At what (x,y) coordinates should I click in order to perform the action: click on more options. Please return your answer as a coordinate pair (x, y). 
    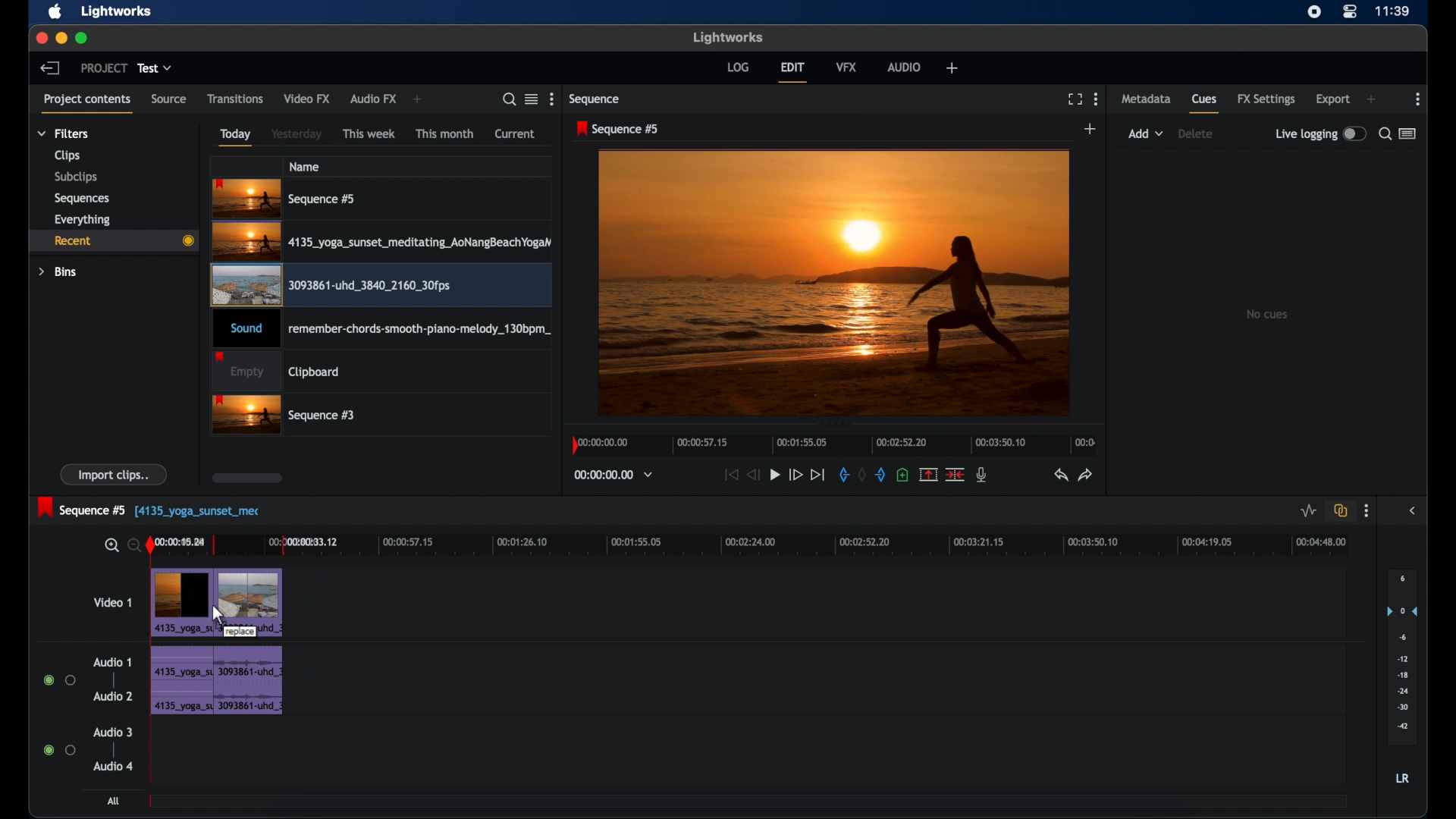
    Looking at the image, I should click on (1096, 99).